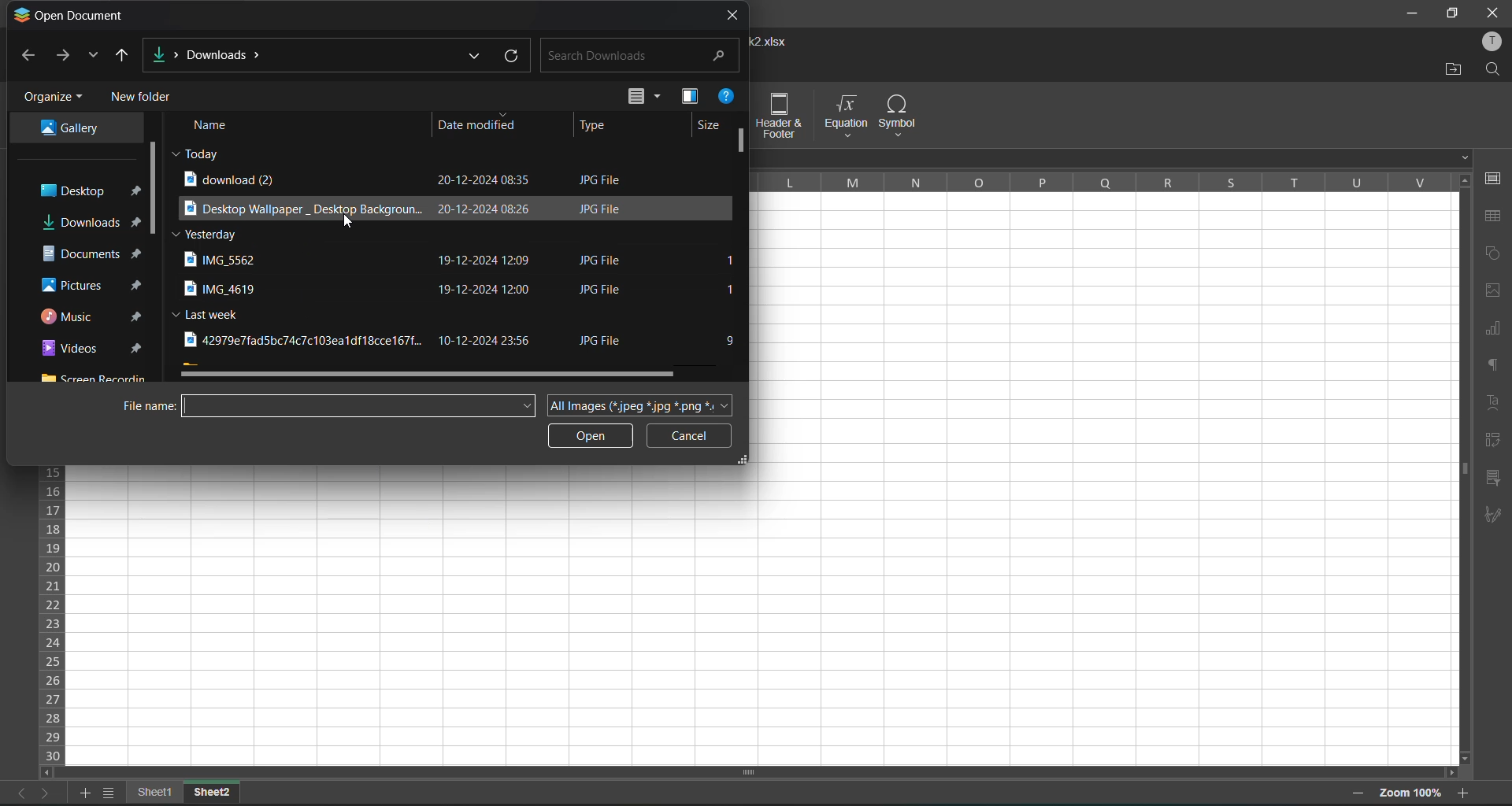 This screenshot has height=806, width=1512. I want to click on Yesterday, so click(209, 235).